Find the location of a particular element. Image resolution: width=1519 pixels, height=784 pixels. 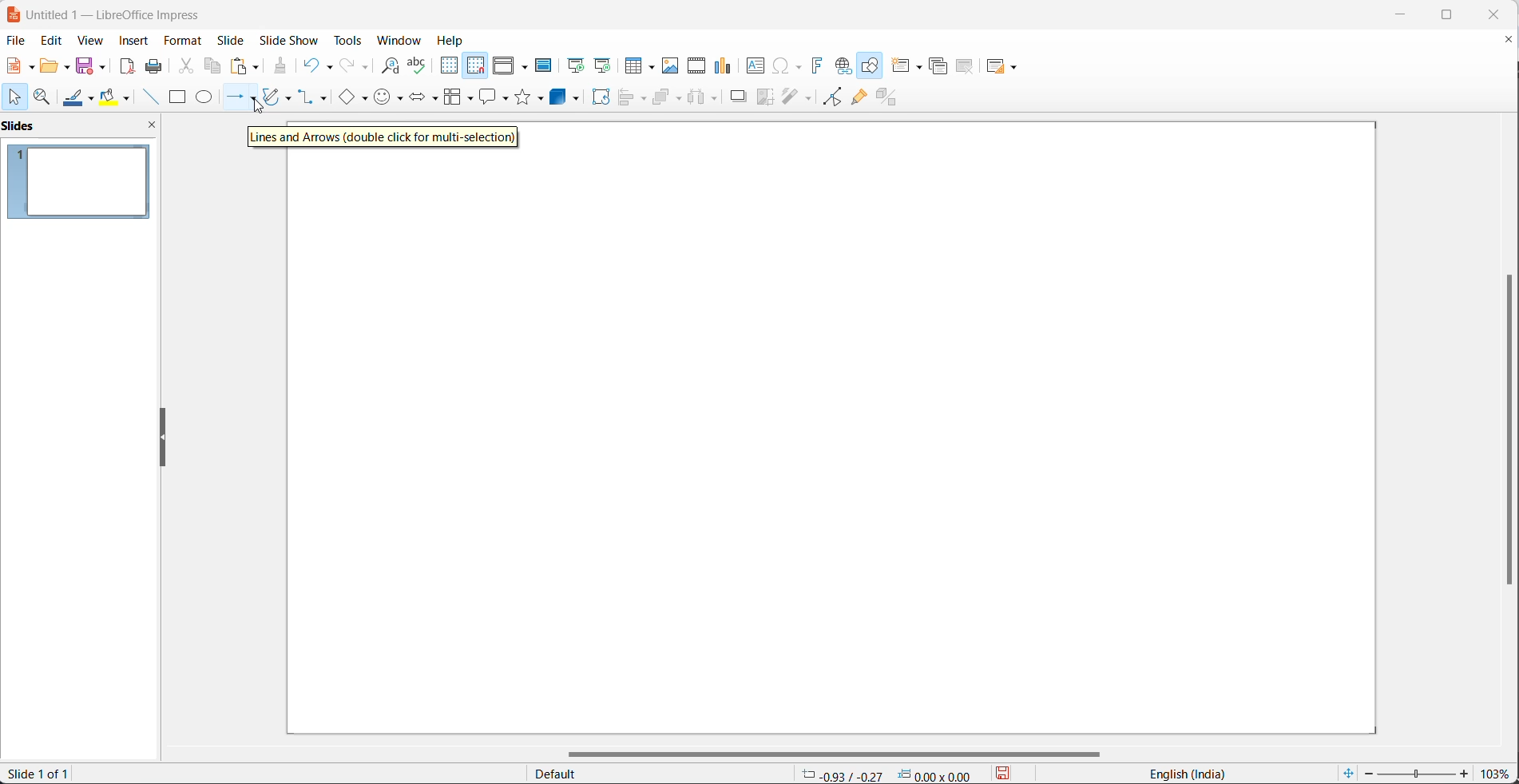

empty page is located at coordinates (831, 441).